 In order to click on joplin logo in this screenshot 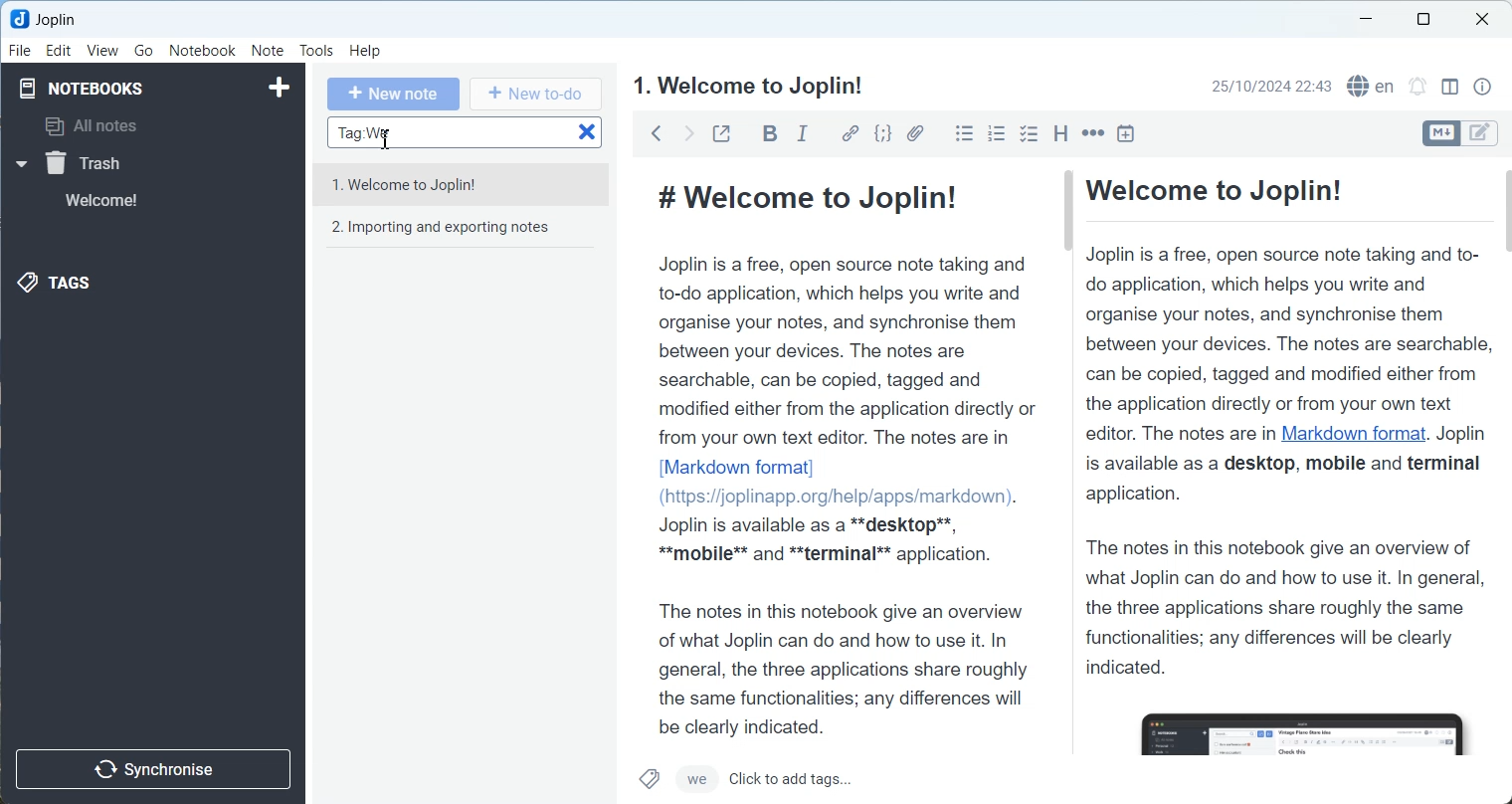, I will do `click(17, 20)`.